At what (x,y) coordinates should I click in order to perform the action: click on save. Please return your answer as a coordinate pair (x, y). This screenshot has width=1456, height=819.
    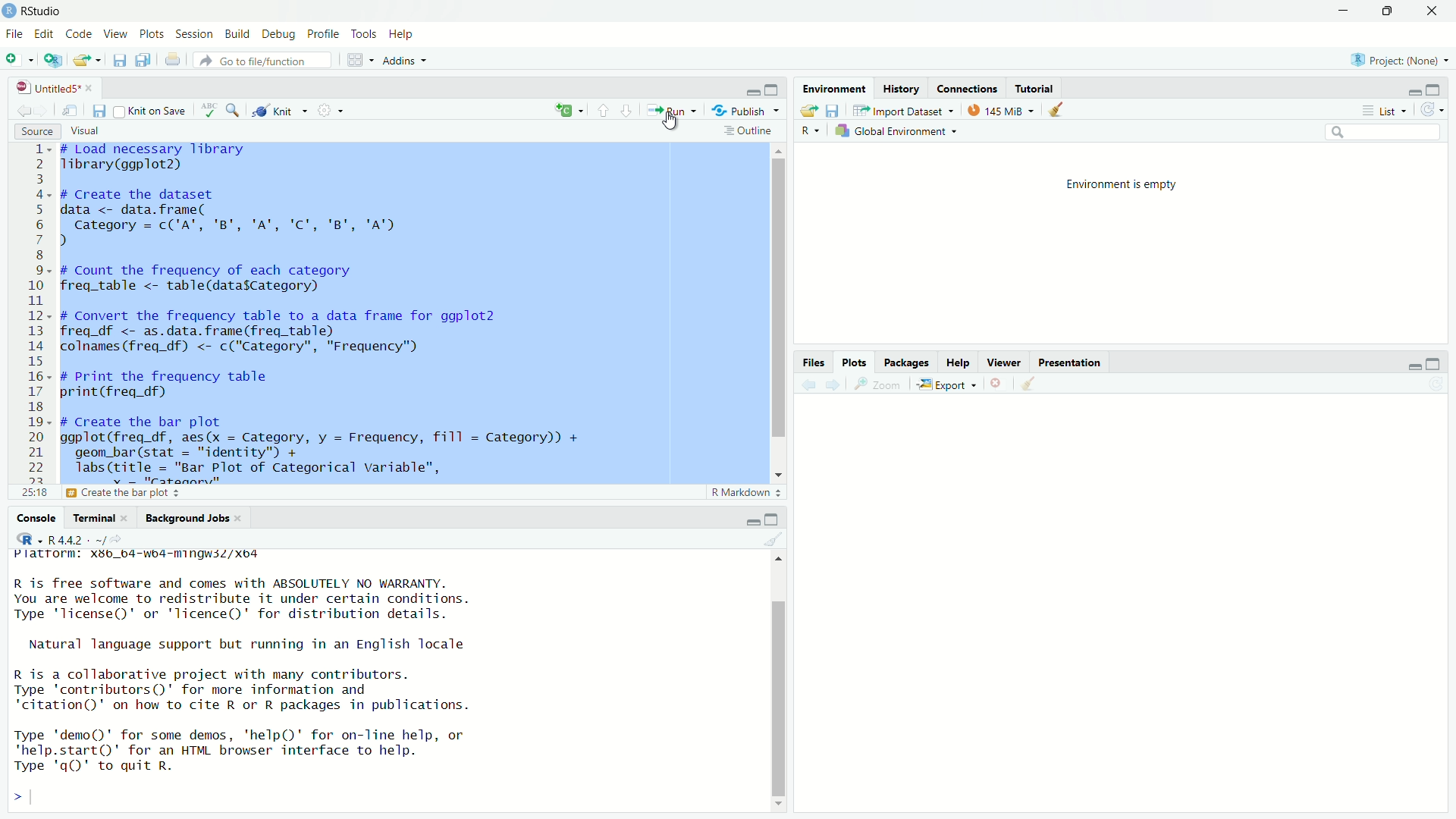
    Looking at the image, I should click on (122, 60).